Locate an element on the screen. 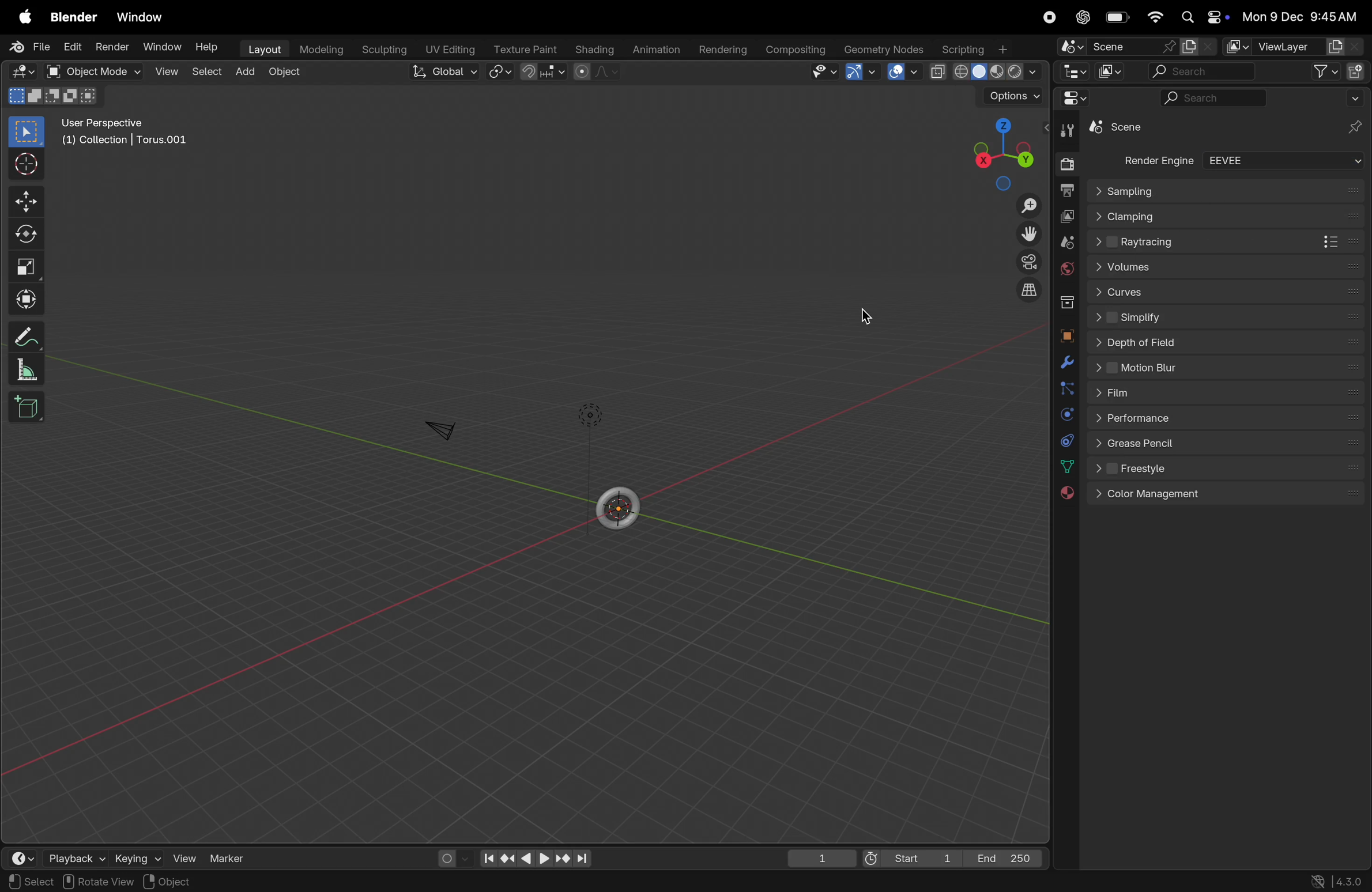  keying is located at coordinates (138, 859).